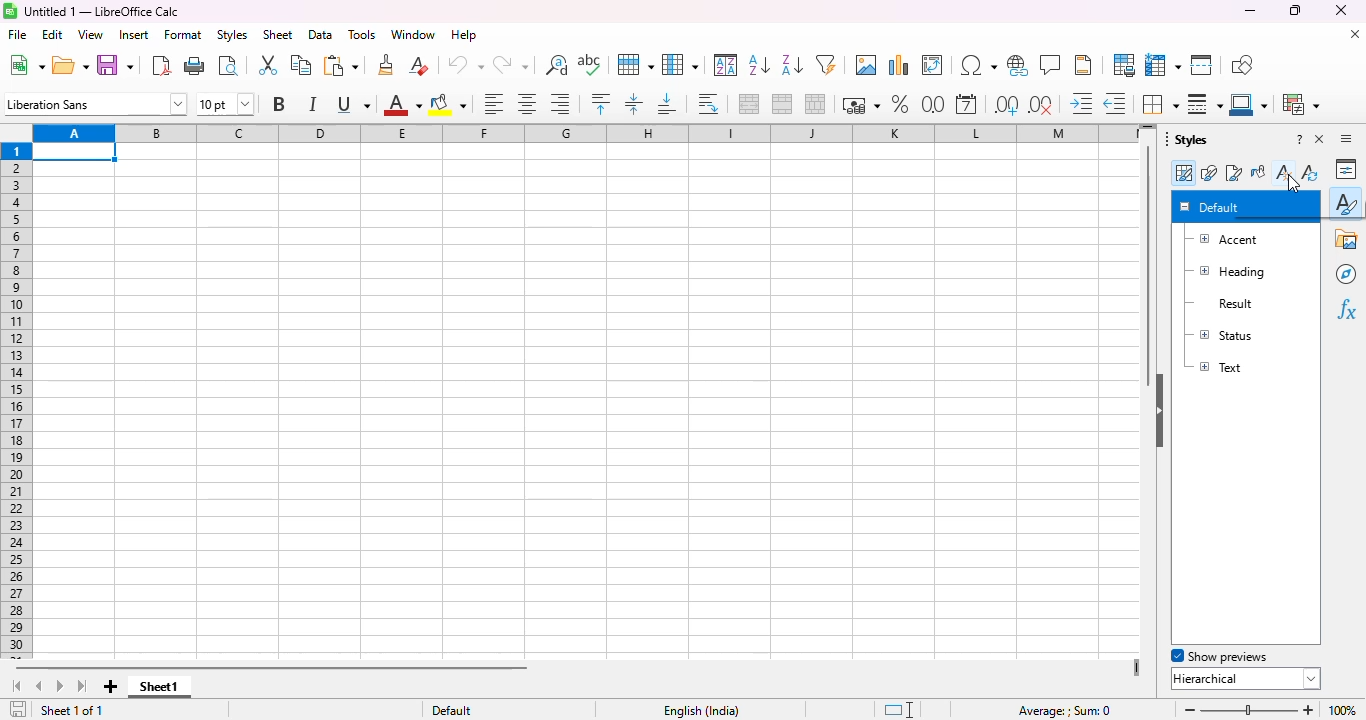 The width and height of the screenshot is (1366, 720). Describe the element at coordinates (1283, 171) in the screenshot. I see `new style from selection` at that location.